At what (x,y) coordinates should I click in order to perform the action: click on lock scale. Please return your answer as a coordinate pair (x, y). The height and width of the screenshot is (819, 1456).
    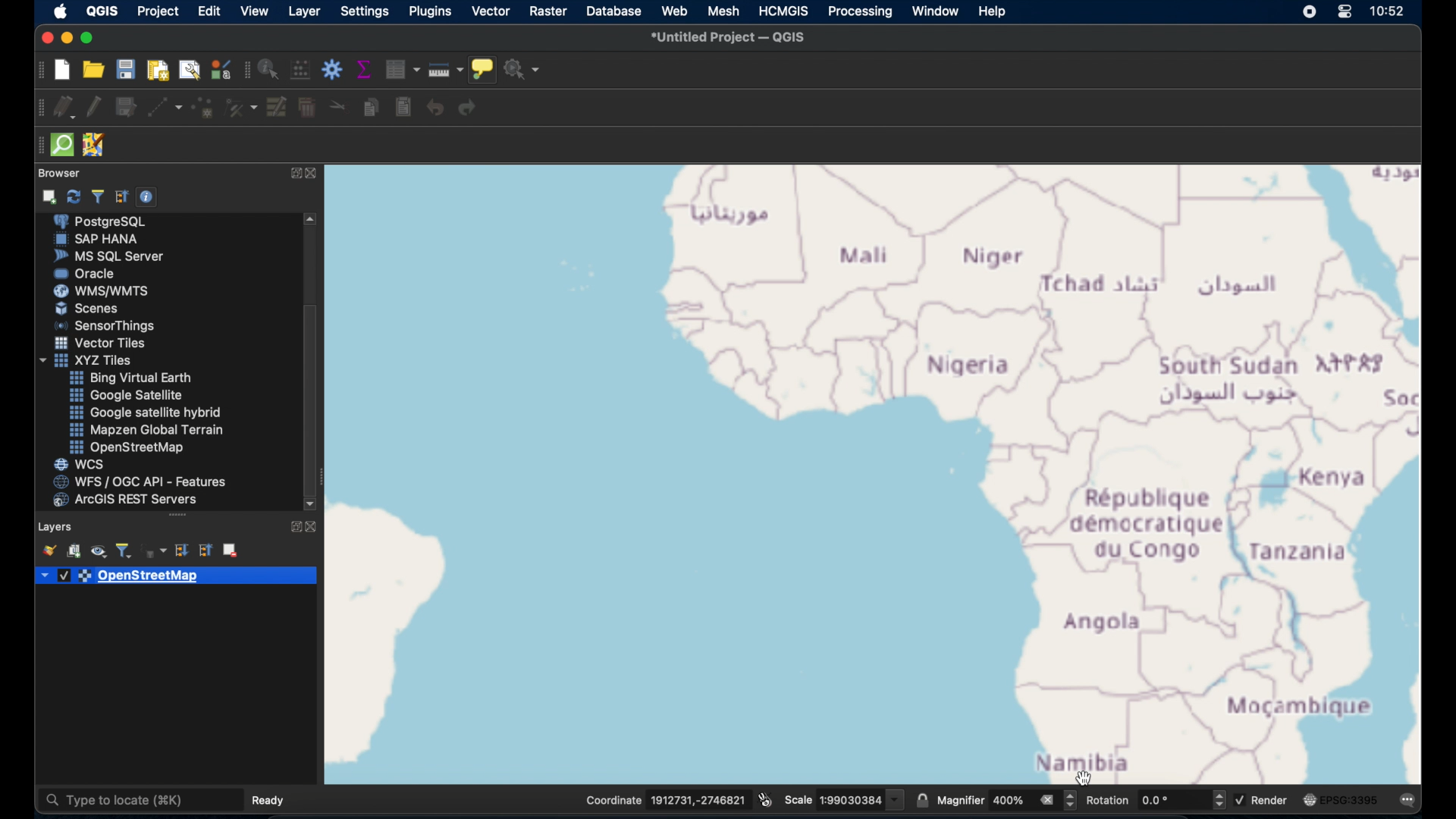
    Looking at the image, I should click on (922, 799).